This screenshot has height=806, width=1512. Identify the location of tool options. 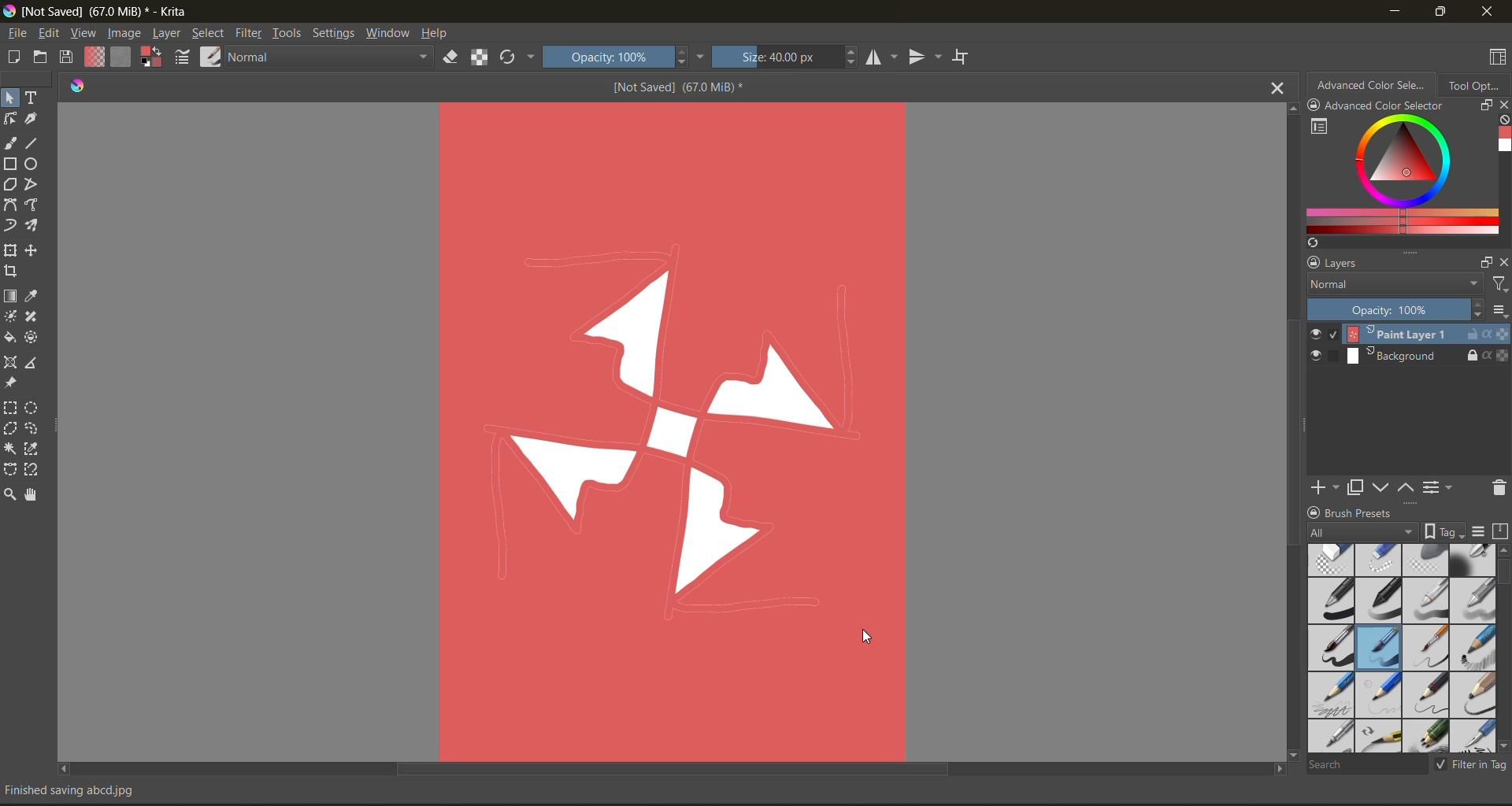
(1476, 88).